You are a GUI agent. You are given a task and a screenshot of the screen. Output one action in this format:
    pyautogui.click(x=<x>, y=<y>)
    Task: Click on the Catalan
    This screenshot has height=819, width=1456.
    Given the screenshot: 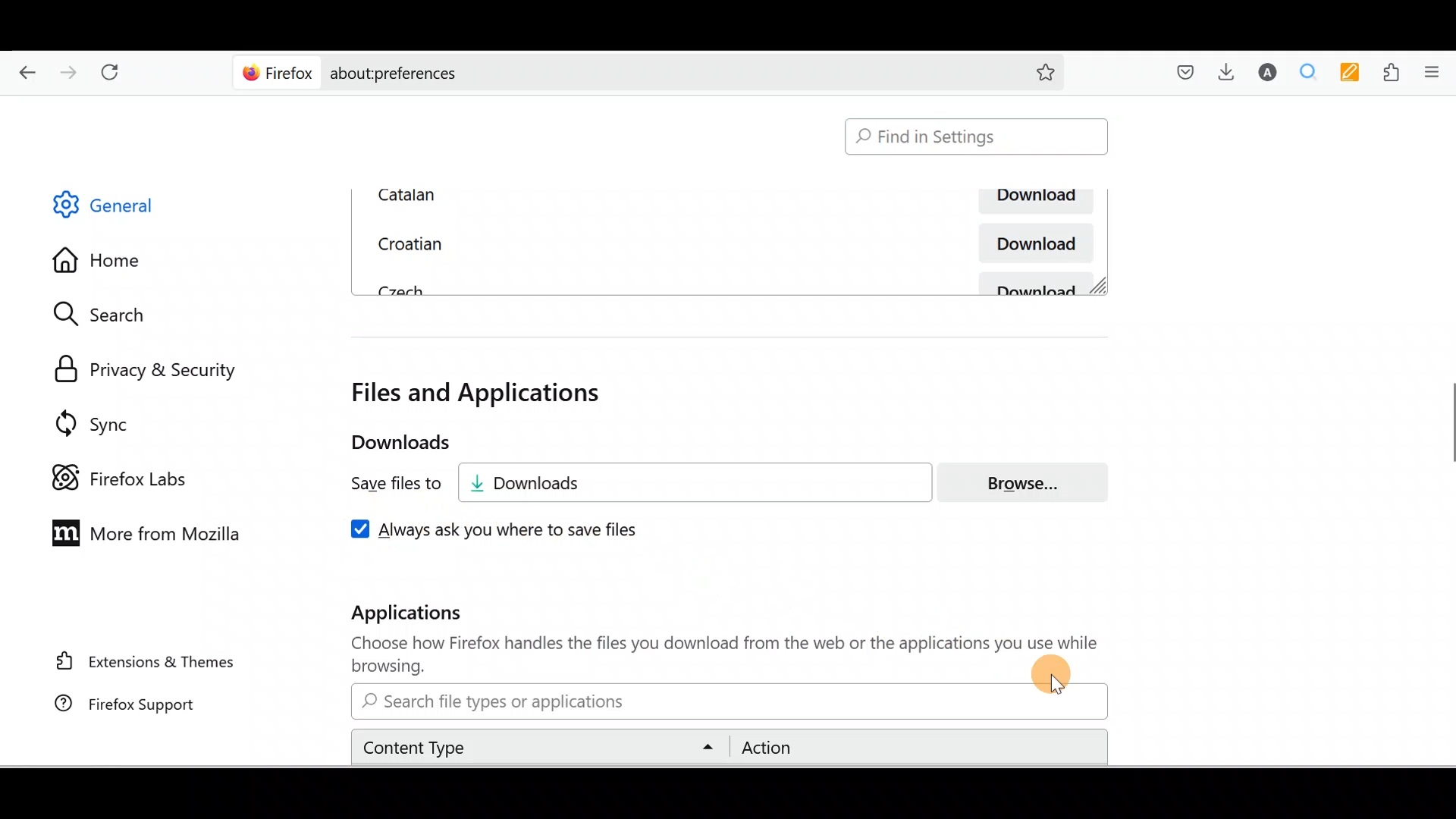 What is the action you would take?
    pyautogui.click(x=535, y=195)
    